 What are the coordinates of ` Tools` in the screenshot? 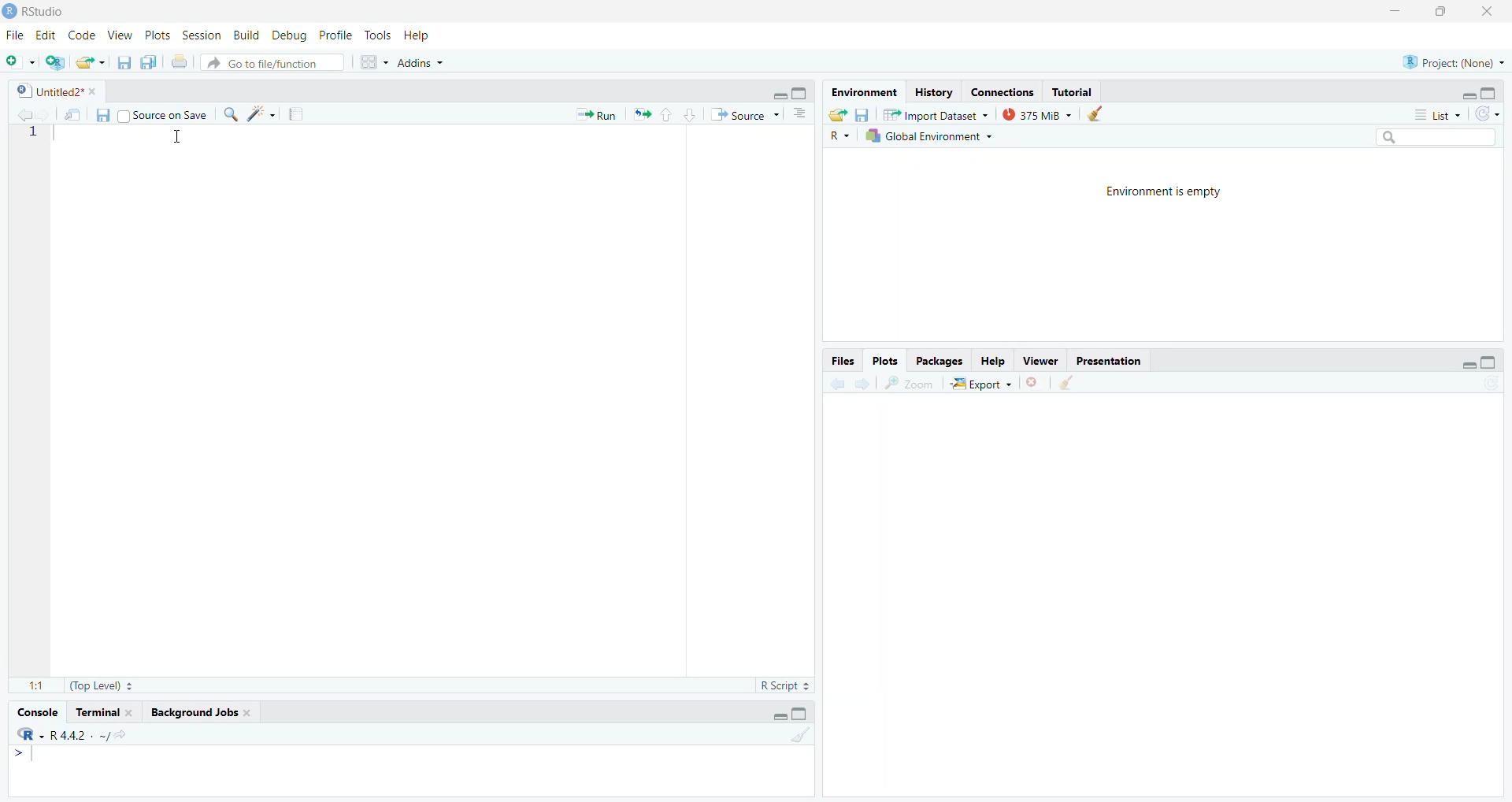 It's located at (376, 35).